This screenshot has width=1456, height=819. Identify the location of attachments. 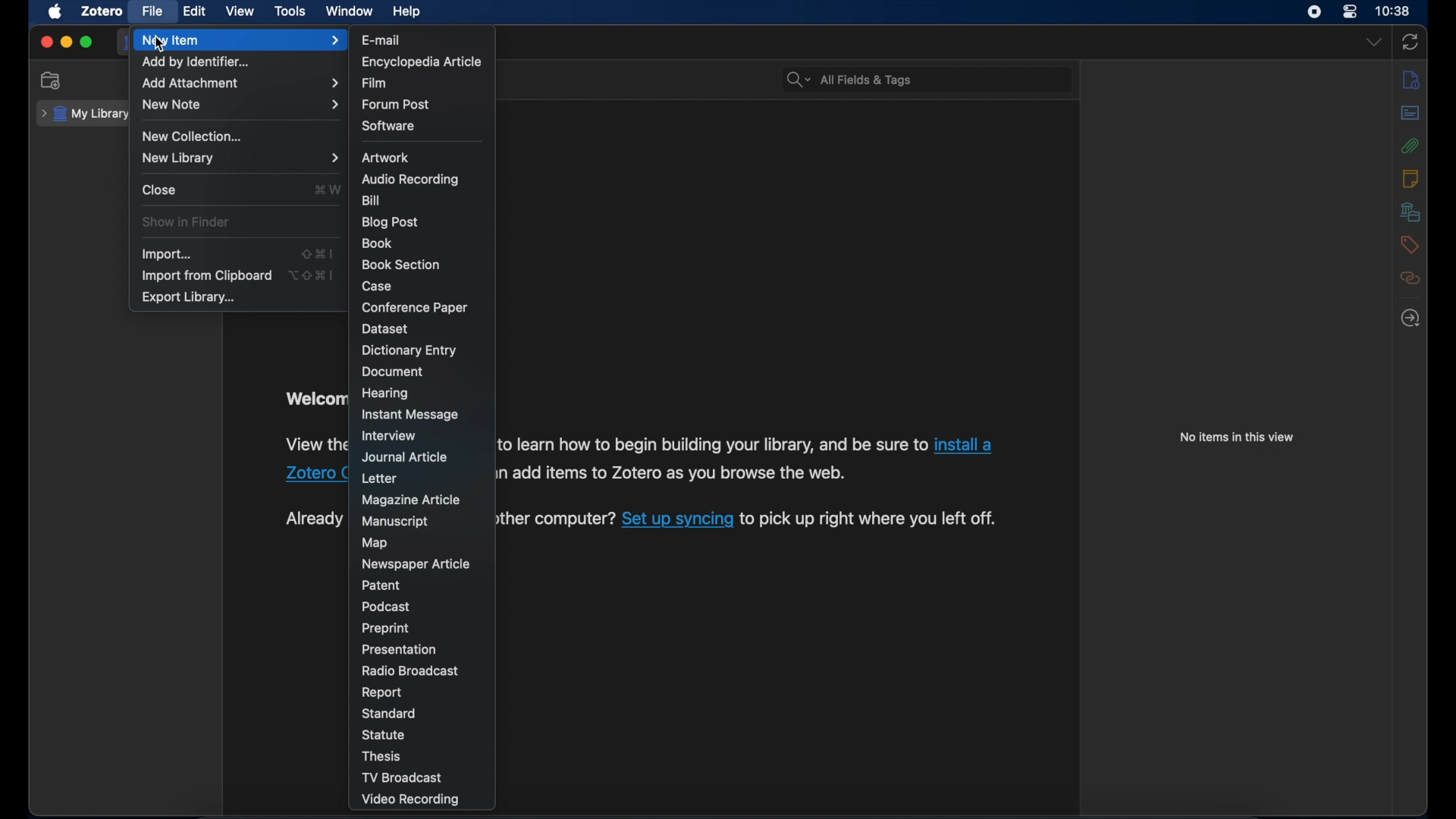
(1410, 146).